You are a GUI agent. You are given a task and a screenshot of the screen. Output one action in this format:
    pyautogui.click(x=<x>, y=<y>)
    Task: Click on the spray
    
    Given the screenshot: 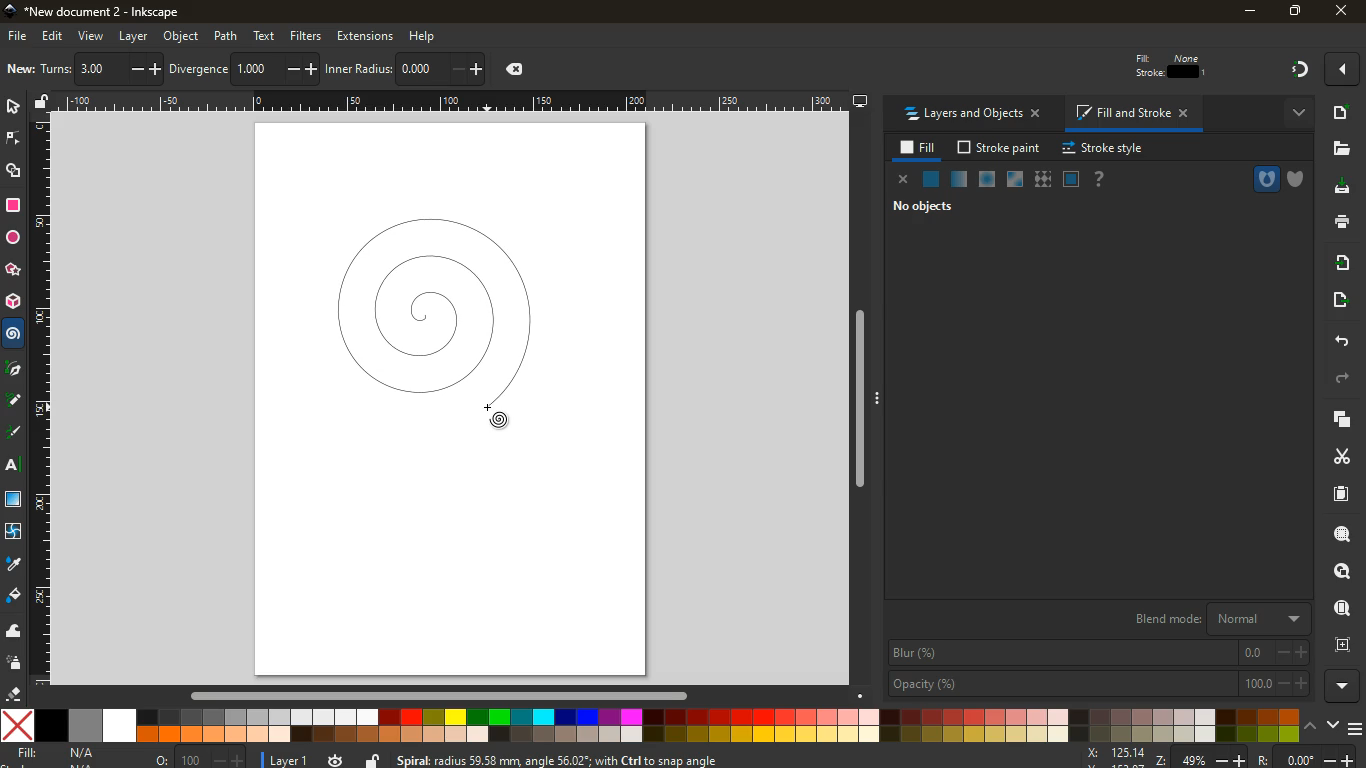 What is the action you would take?
    pyautogui.click(x=13, y=665)
    